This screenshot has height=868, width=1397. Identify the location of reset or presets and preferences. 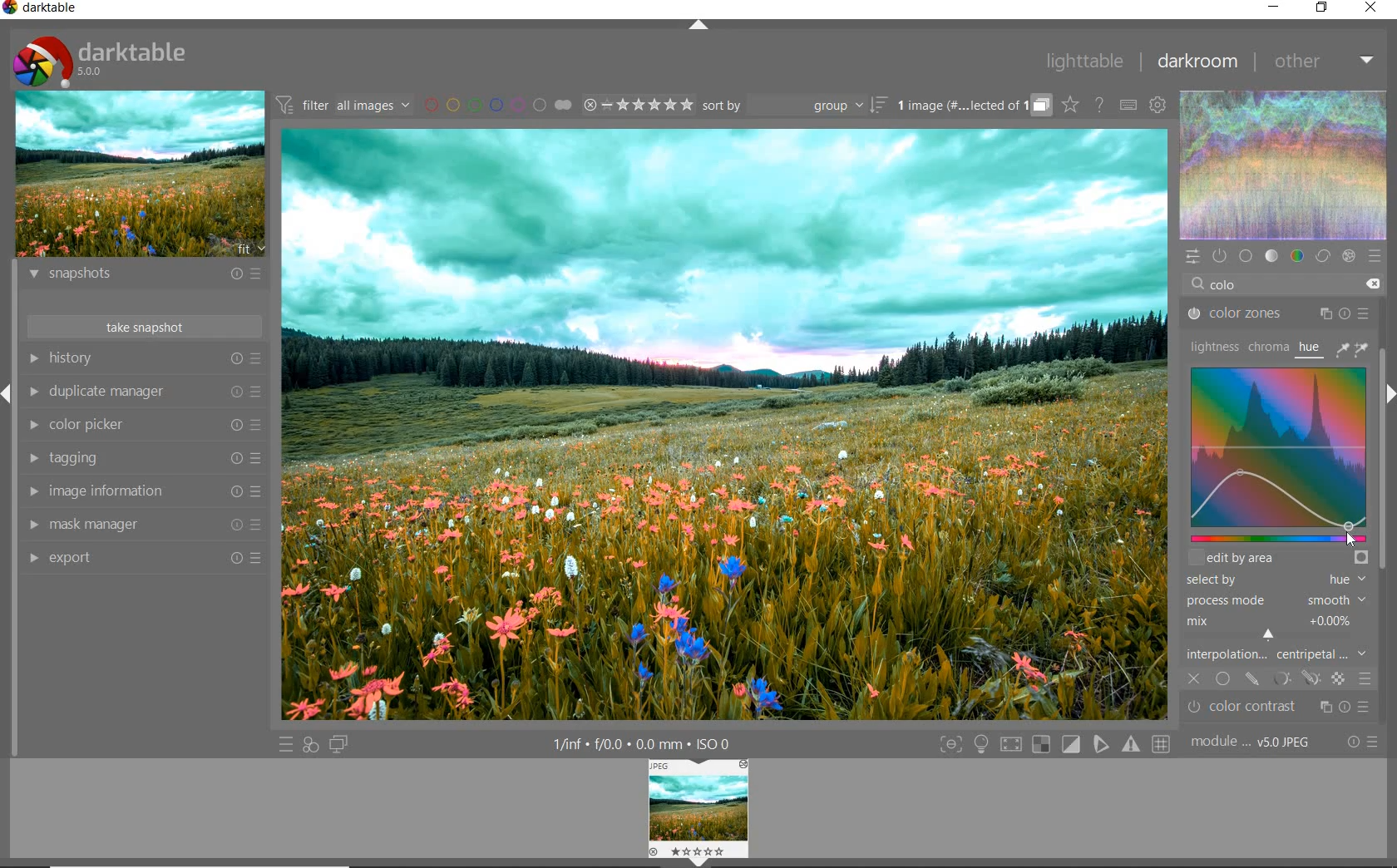
(1364, 742).